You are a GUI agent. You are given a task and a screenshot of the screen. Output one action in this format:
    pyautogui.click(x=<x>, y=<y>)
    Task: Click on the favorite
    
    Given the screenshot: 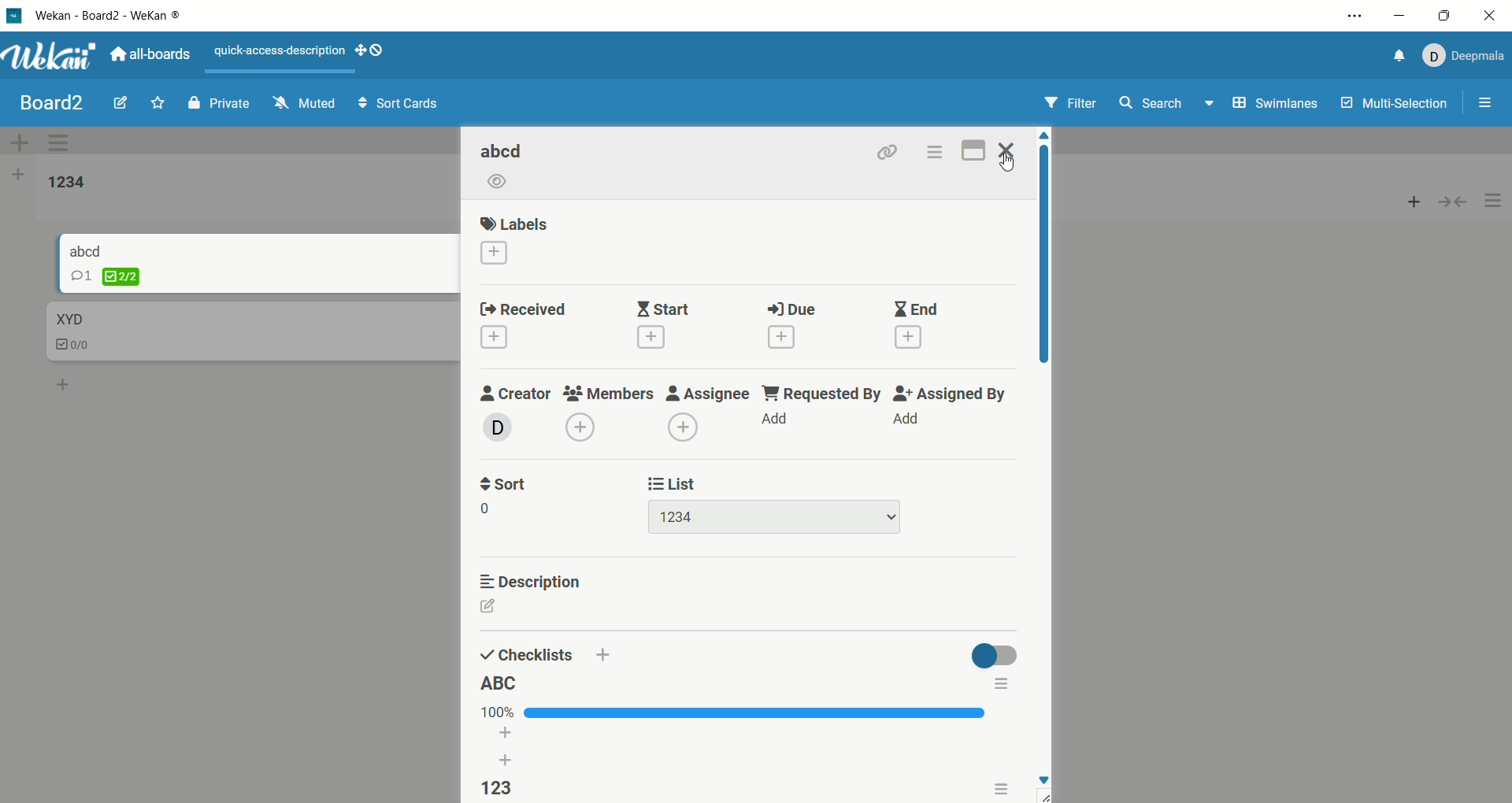 What is the action you would take?
    pyautogui.click(x=157, y=98)
    